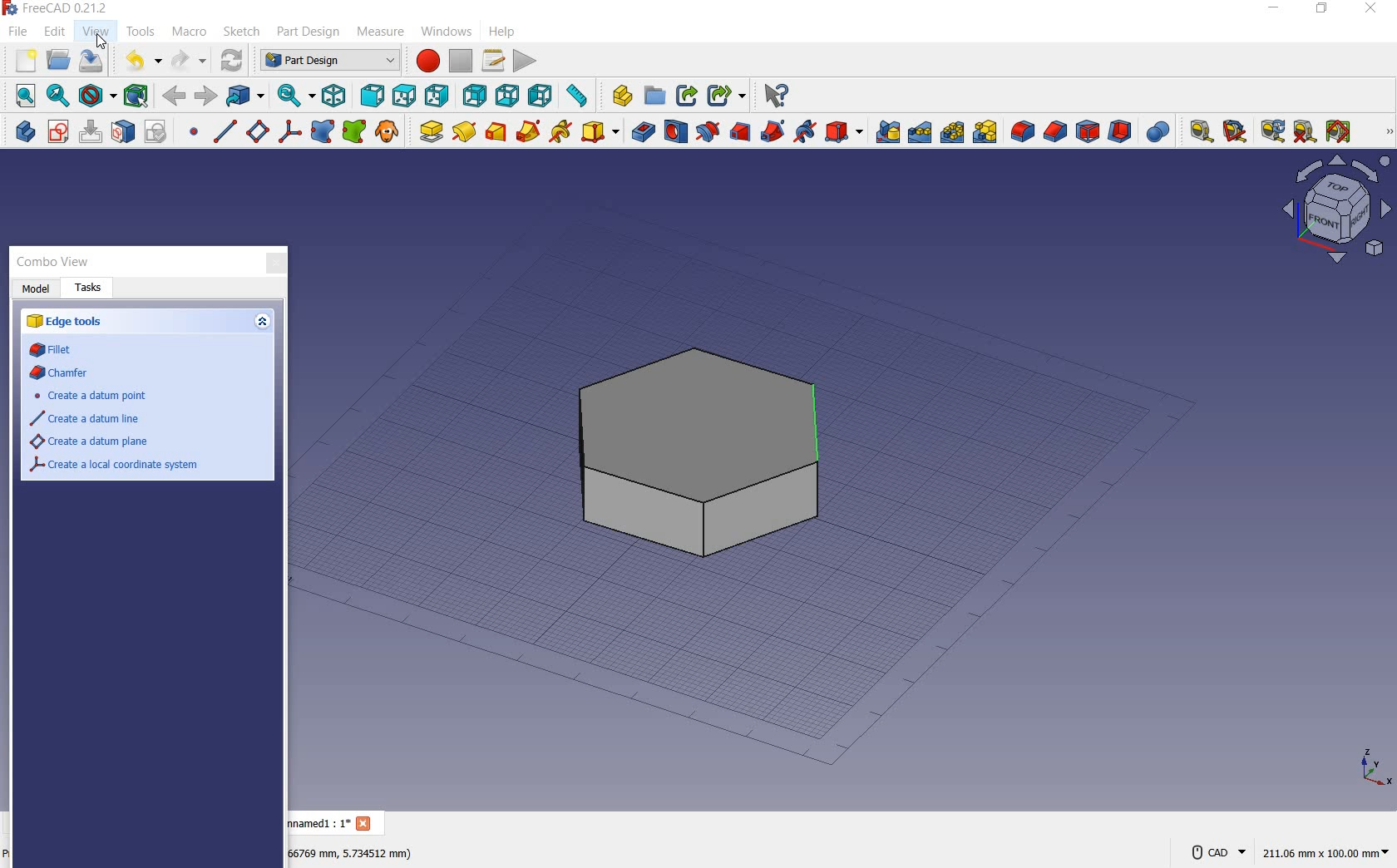 The width and height of the screenshot is (1397, 868). Describe the element at coordinates (1088, 133) in the screenshot. I see `draft` at that location.